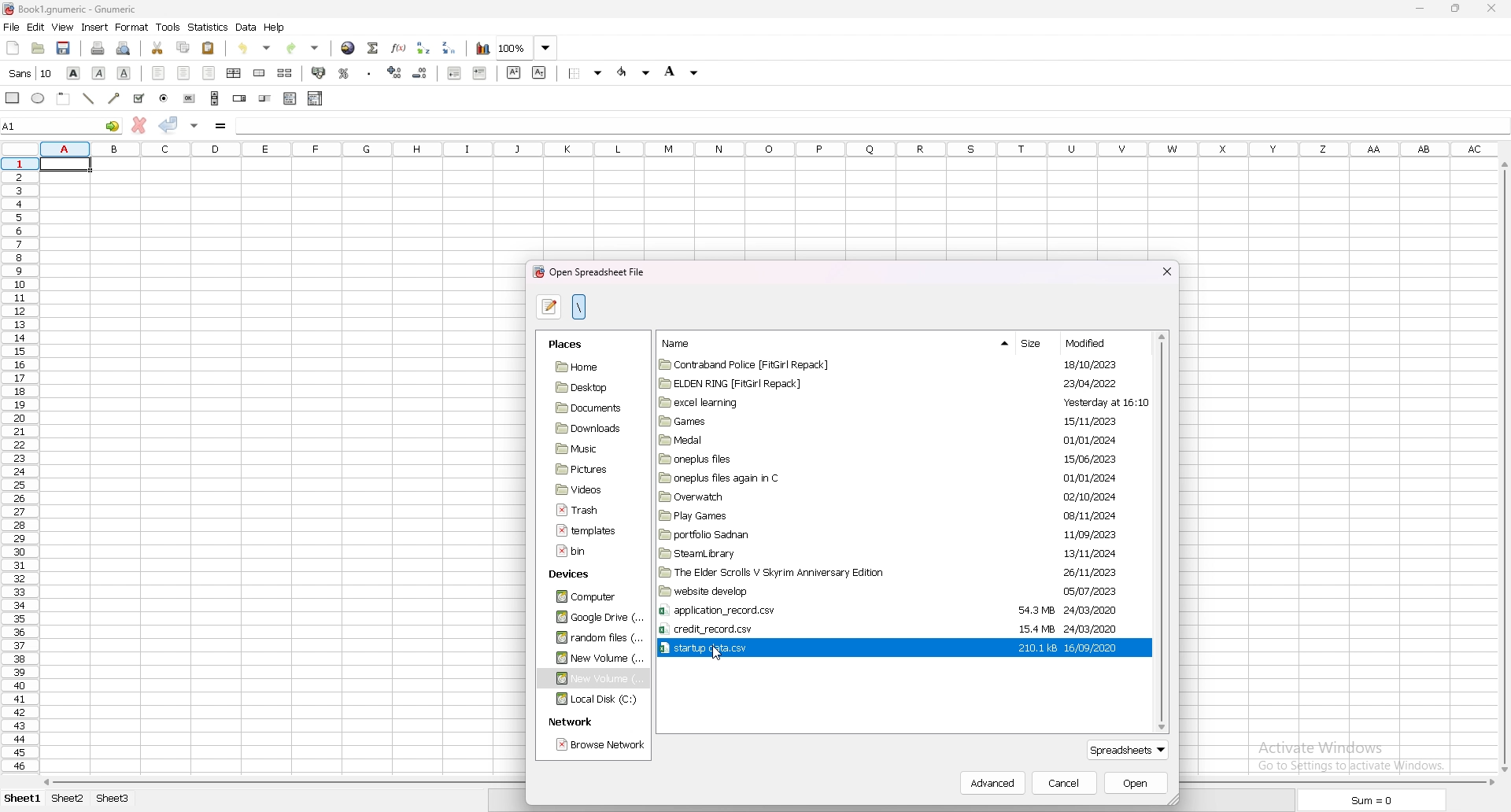 The width and height of the screenshot is (1511, 812). I want to click on file, so click(827, 610).